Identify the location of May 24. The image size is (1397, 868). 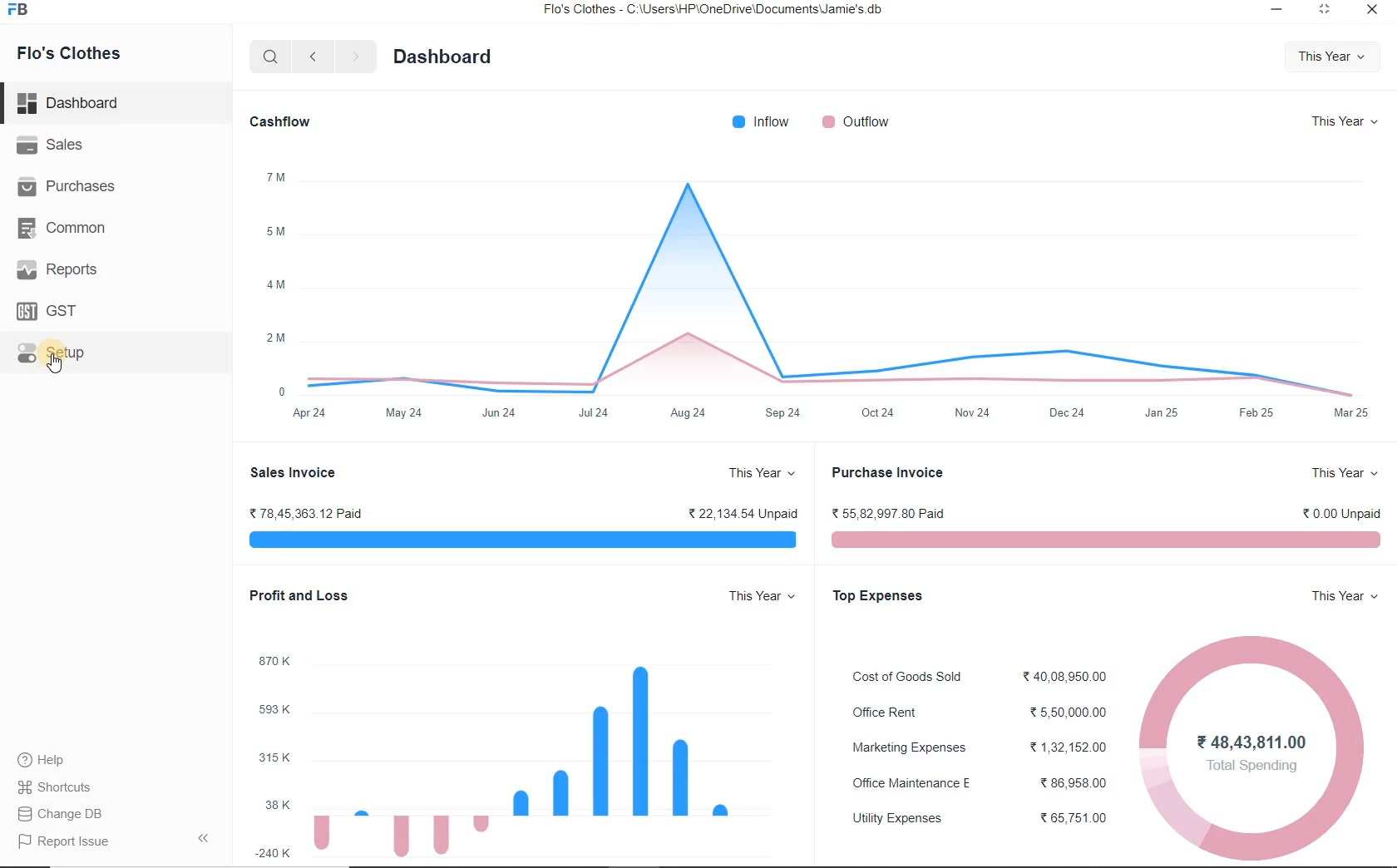
(405, 411).